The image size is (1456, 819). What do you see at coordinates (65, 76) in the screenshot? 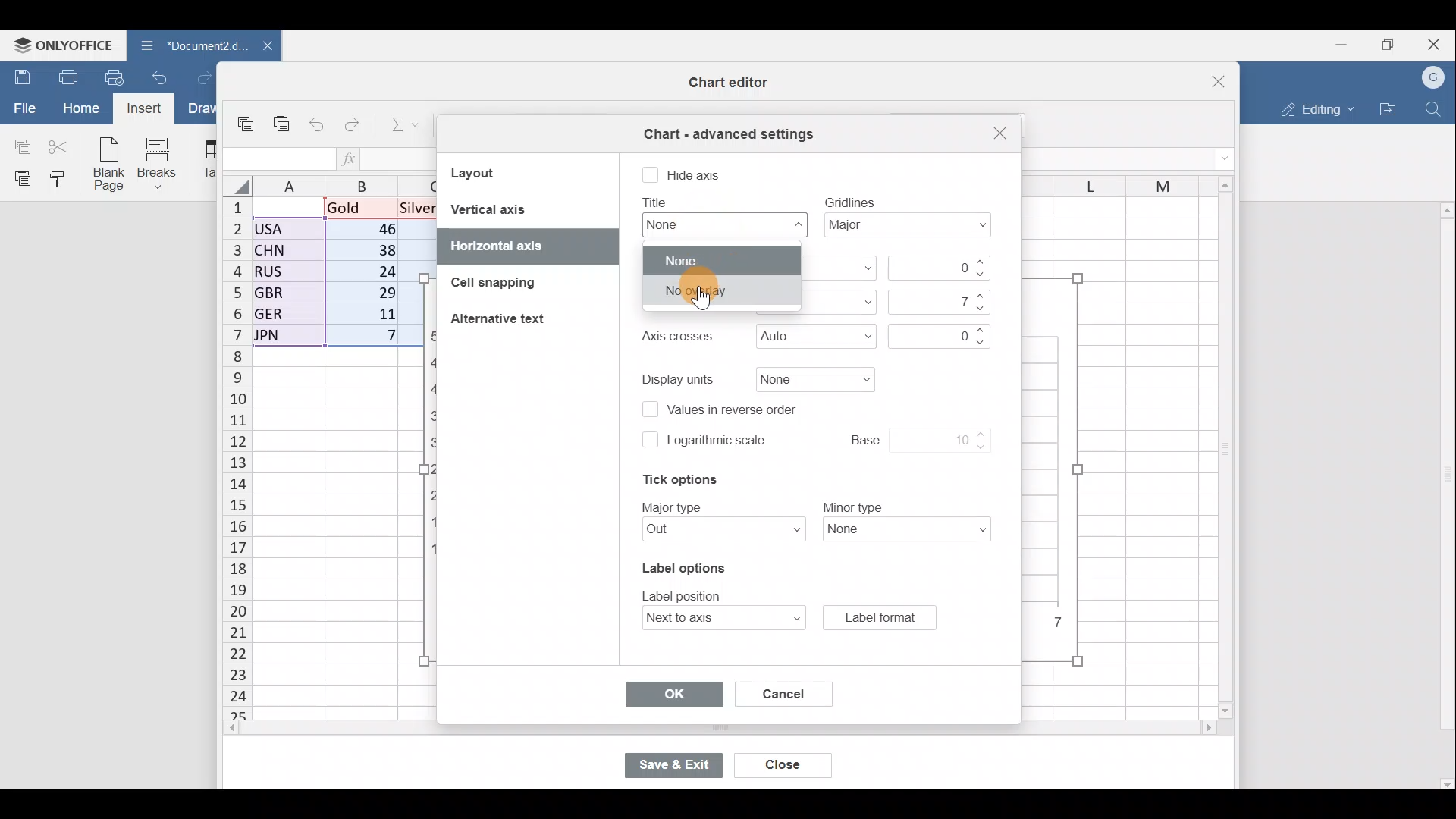
I see `Print file` at bounding box center [65, 76].